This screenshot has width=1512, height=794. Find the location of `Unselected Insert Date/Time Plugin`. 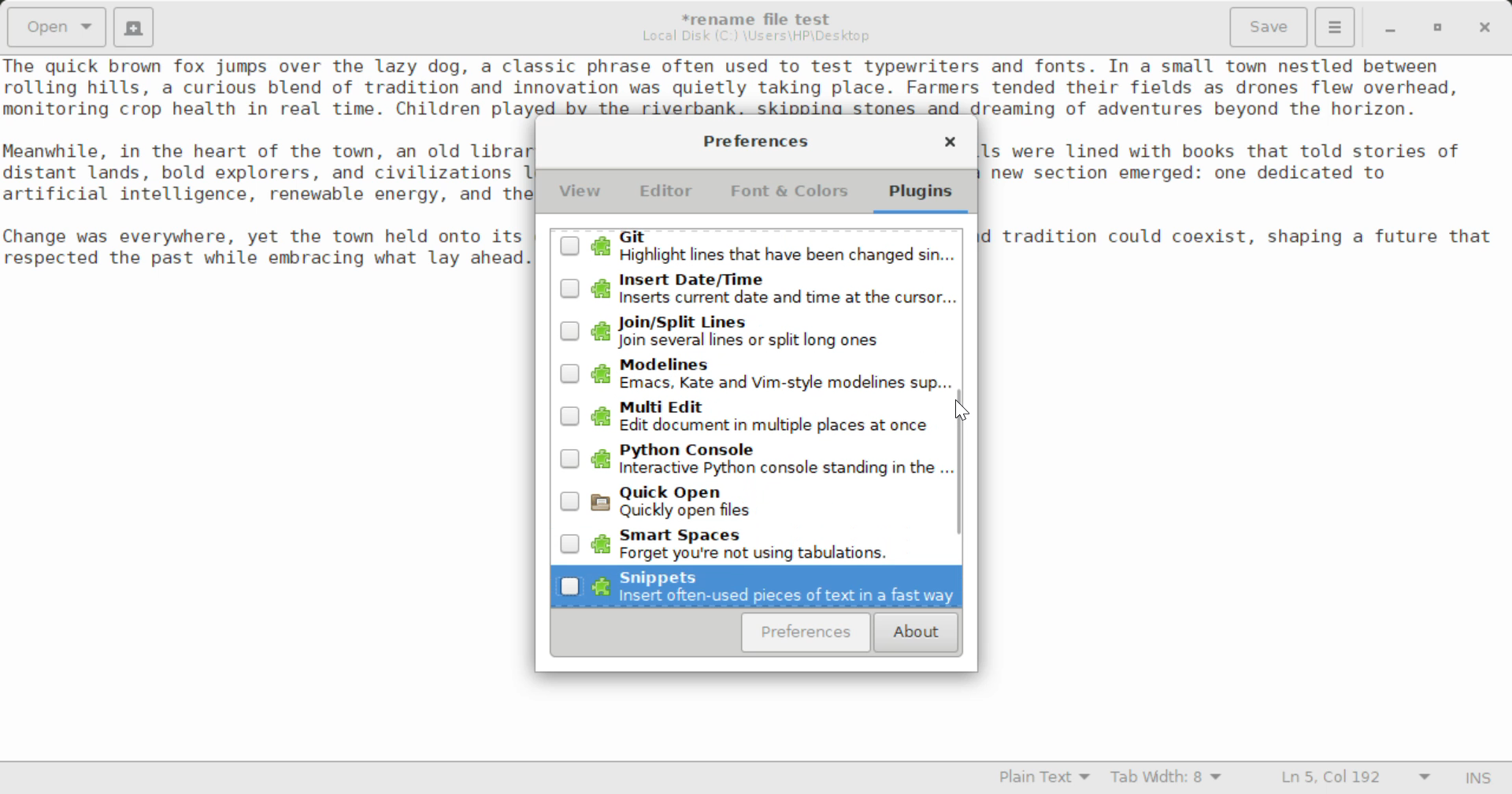

Unselected Insert Date/Time Plugin is located at coordinates (758, 291).